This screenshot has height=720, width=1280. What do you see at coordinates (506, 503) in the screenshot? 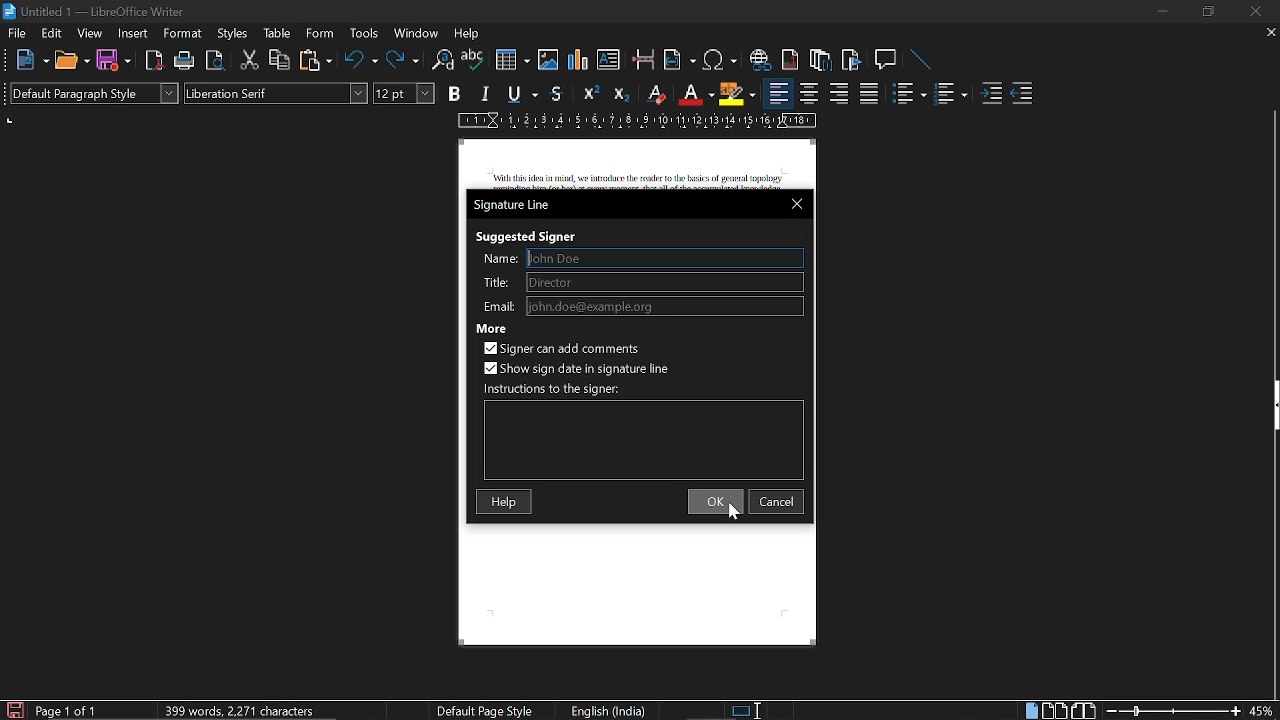
I see `help` at bounding box center [506, 503].